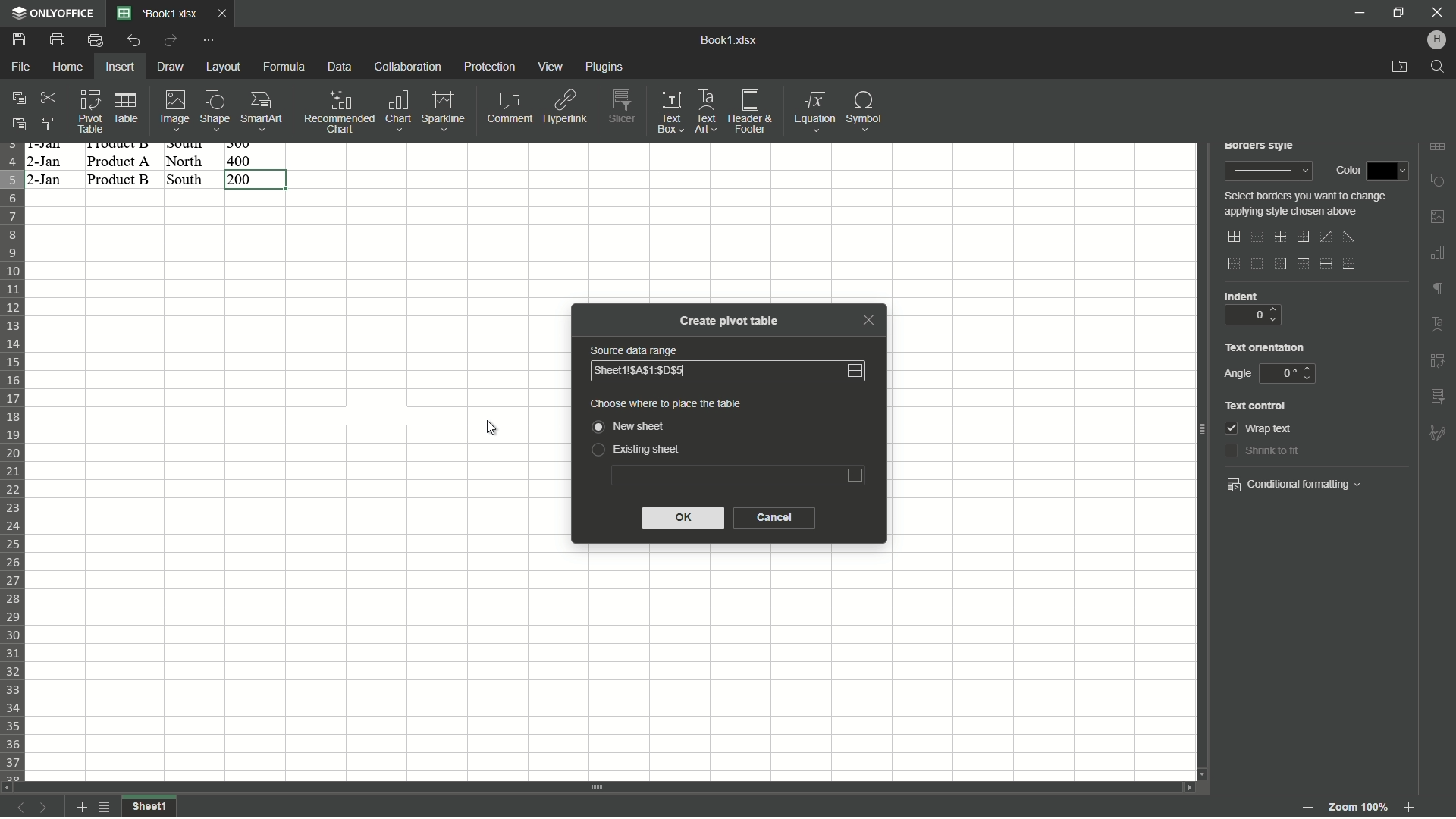  I want to click on book1.xlsx, so click(731, 40).